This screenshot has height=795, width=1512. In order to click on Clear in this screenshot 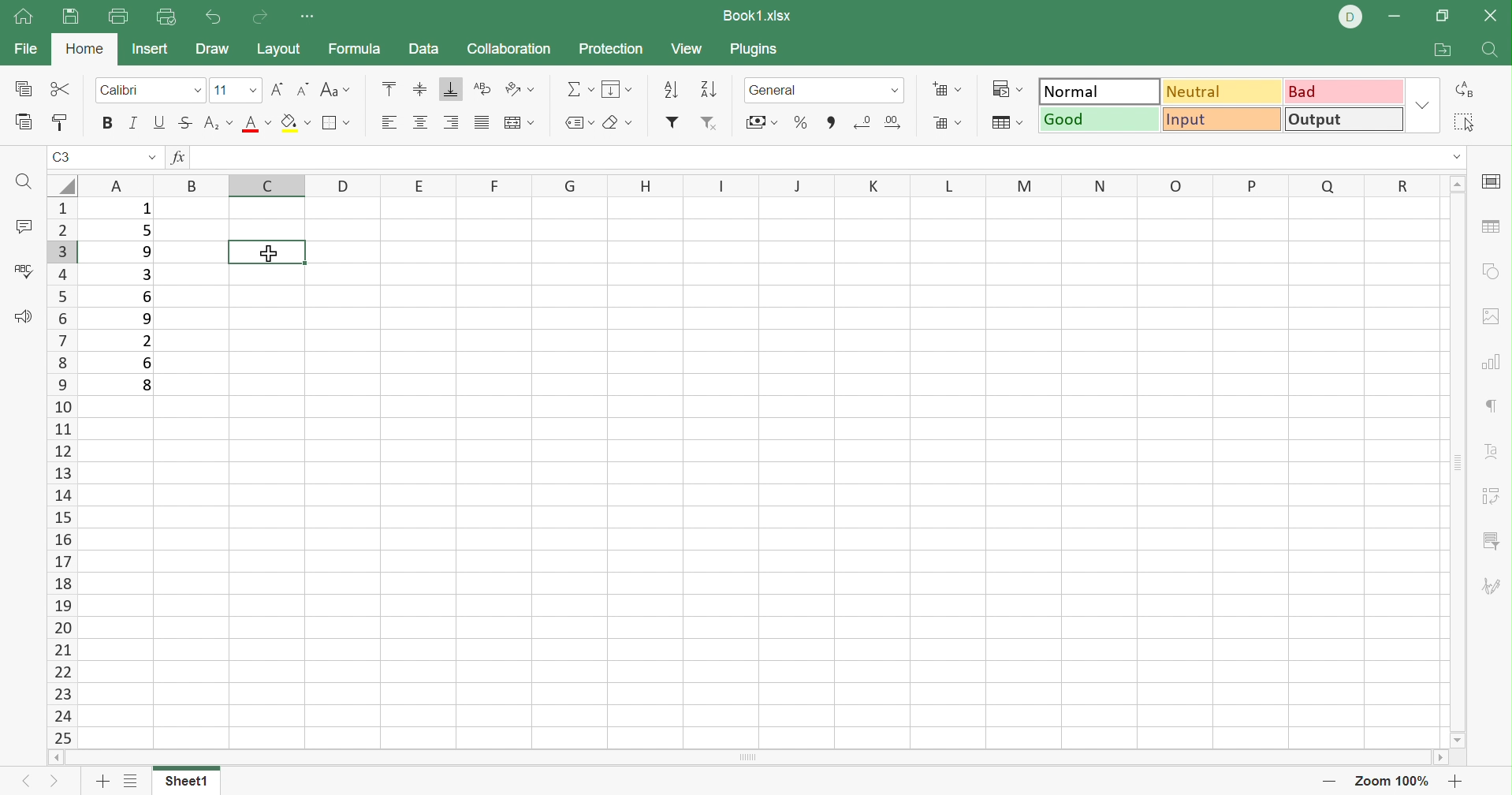, I will do `click(622, 121)`.